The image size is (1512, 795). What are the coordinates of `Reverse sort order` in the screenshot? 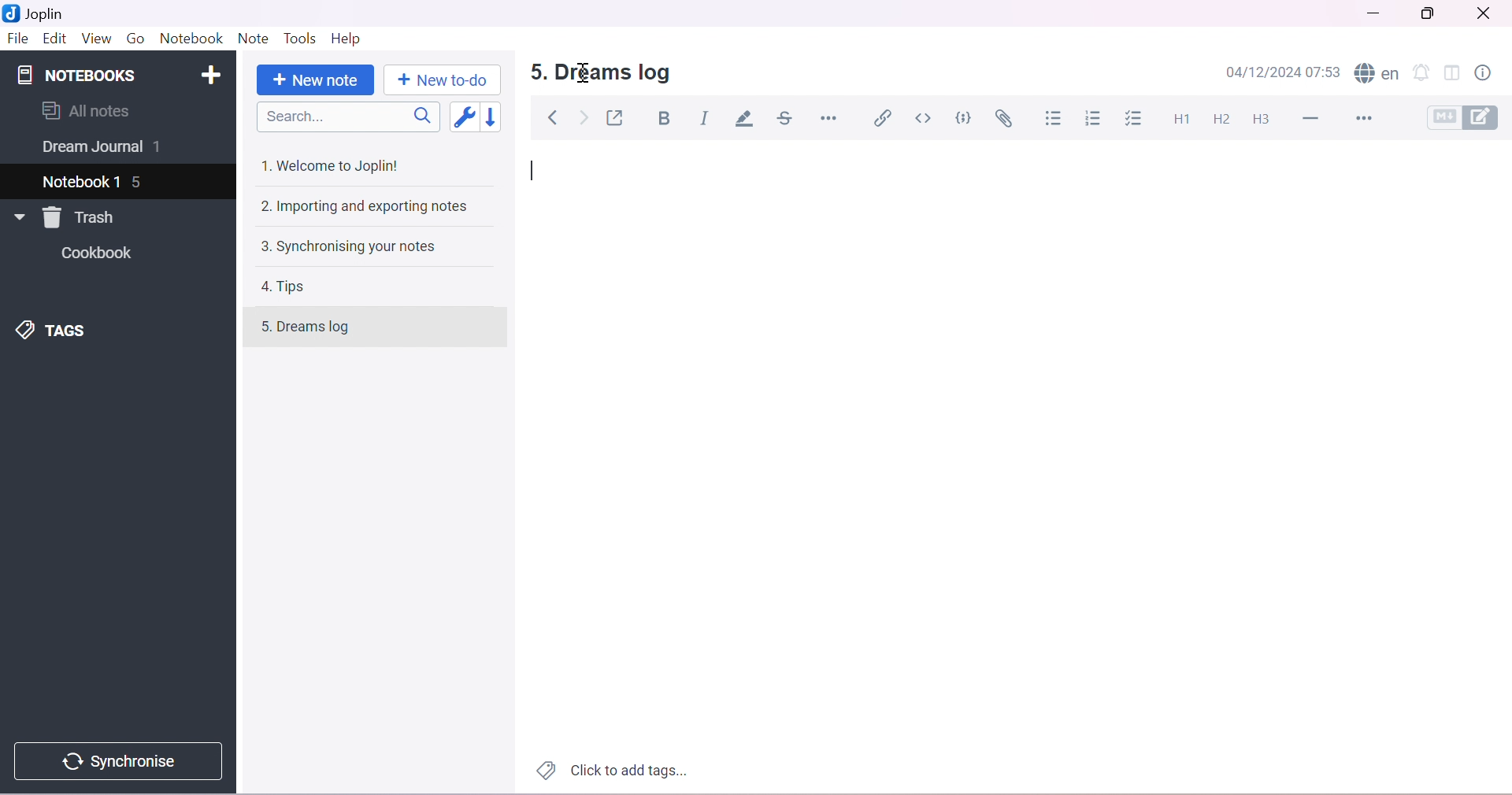 It's located at (499, 117).